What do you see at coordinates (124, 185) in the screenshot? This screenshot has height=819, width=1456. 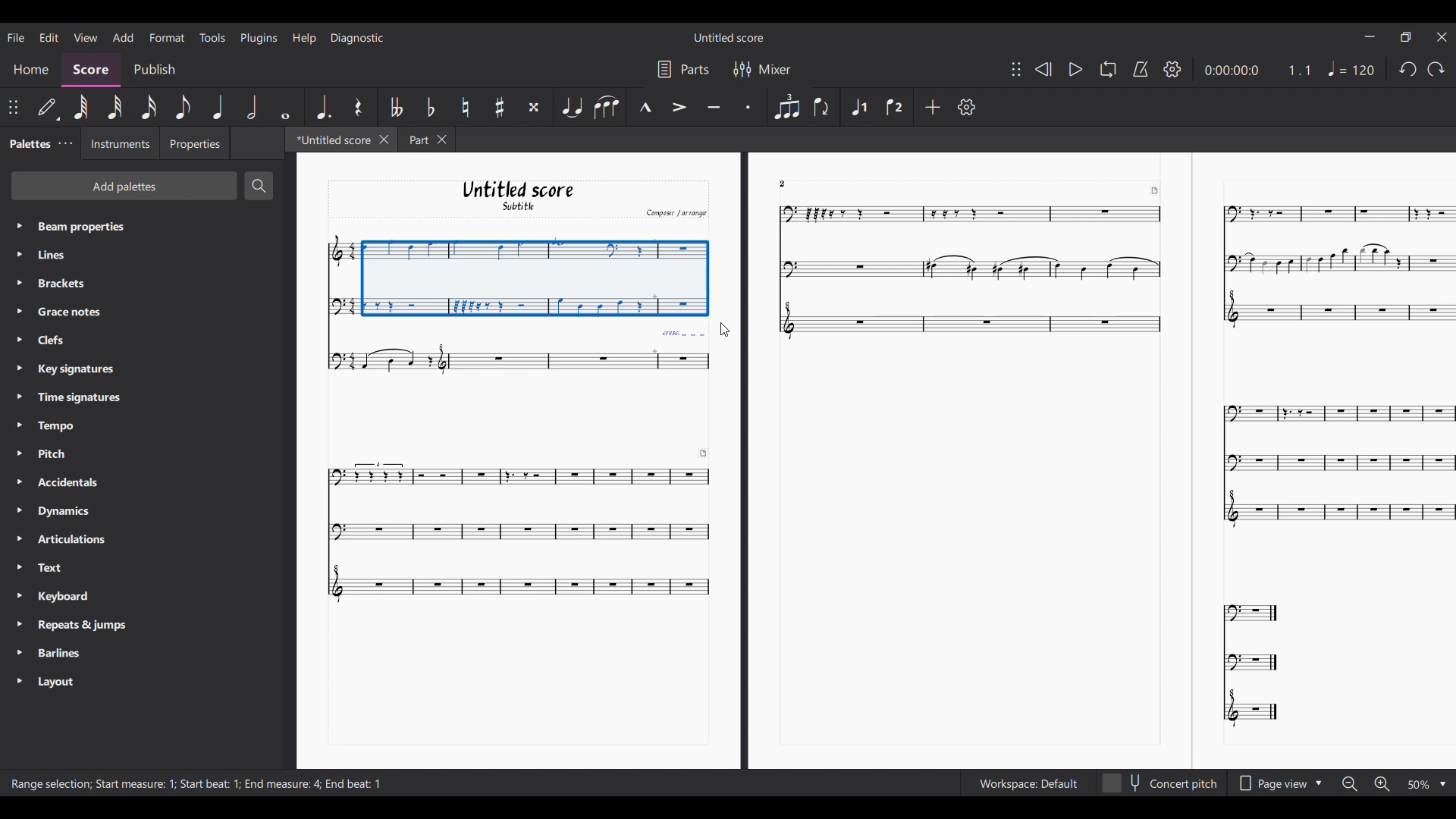 I see `Add palette` at bounding box center [124, 185].